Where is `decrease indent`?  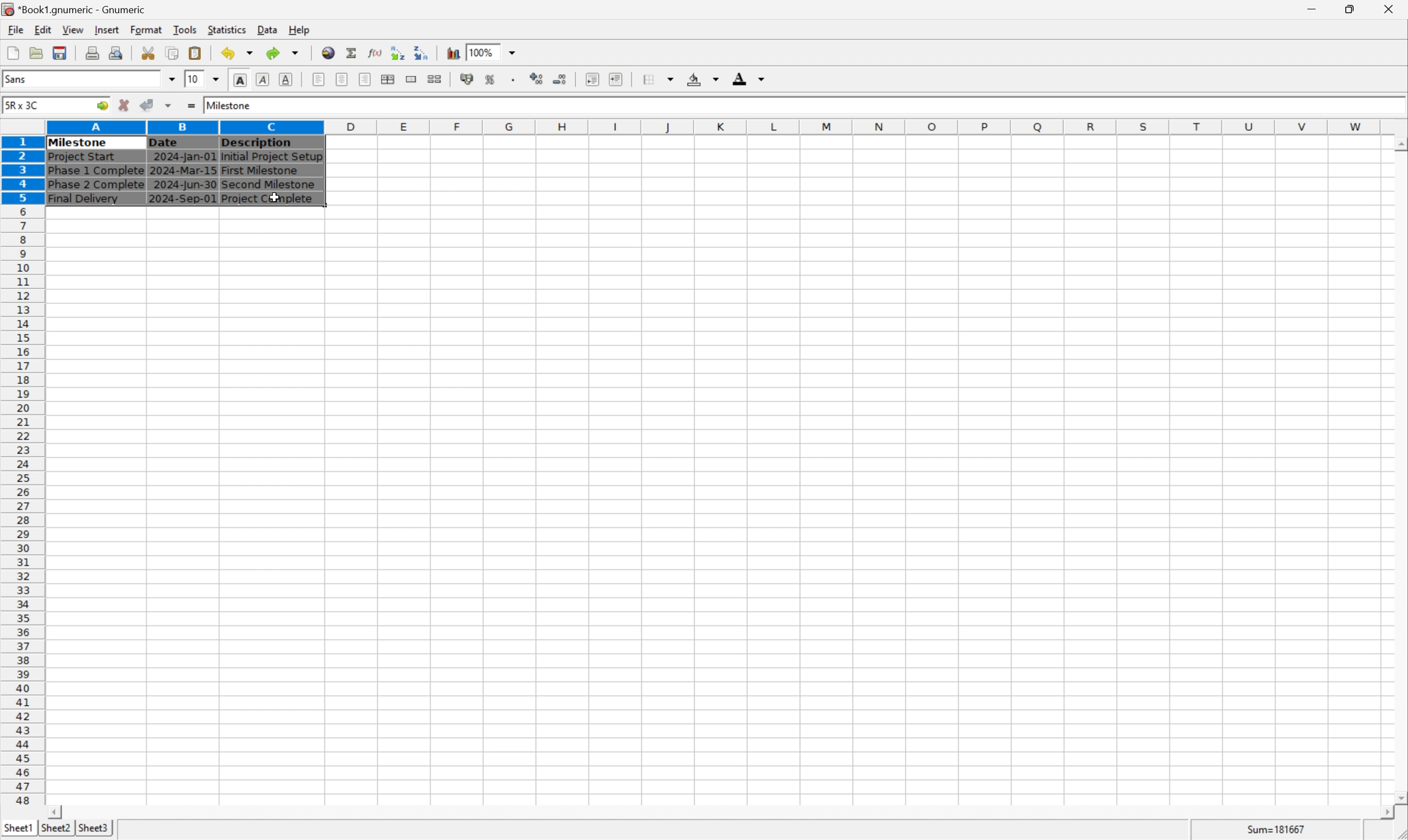 decrease indent is located at coordinates (592, 80).